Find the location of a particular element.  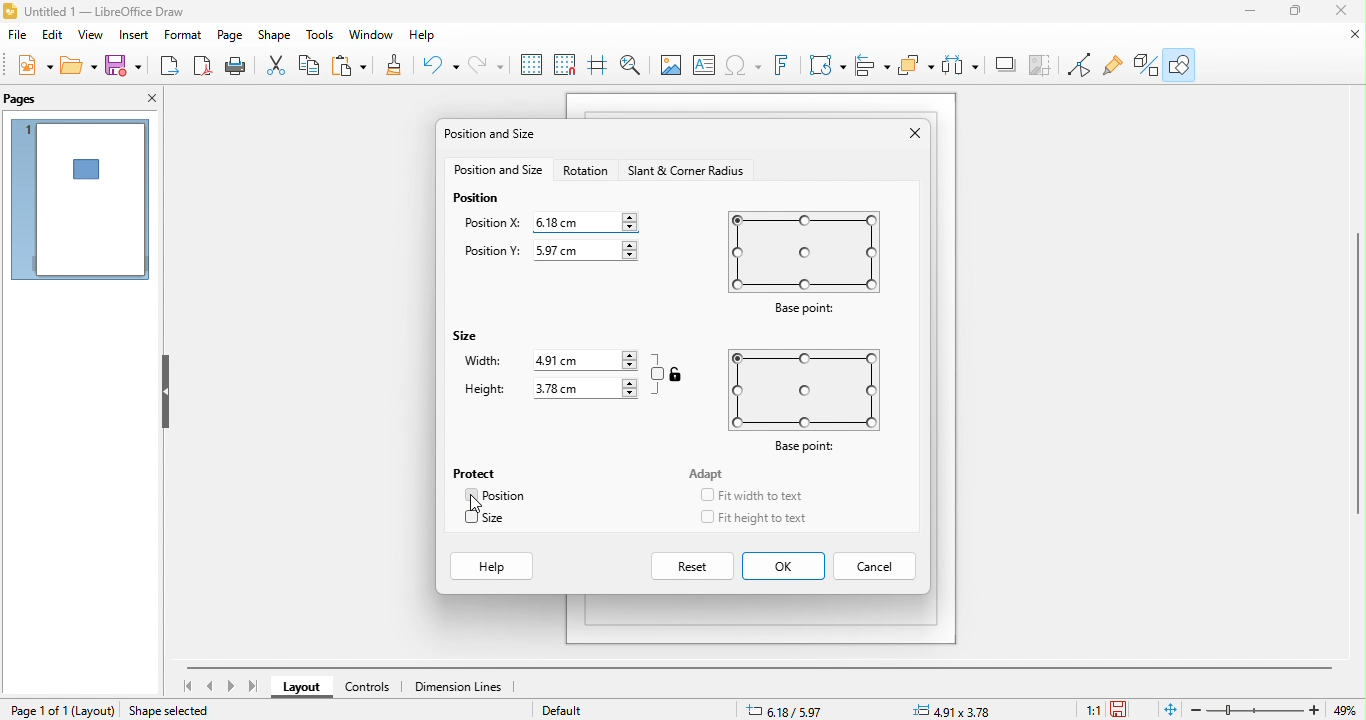

redo is located at coordinates (486, 66).